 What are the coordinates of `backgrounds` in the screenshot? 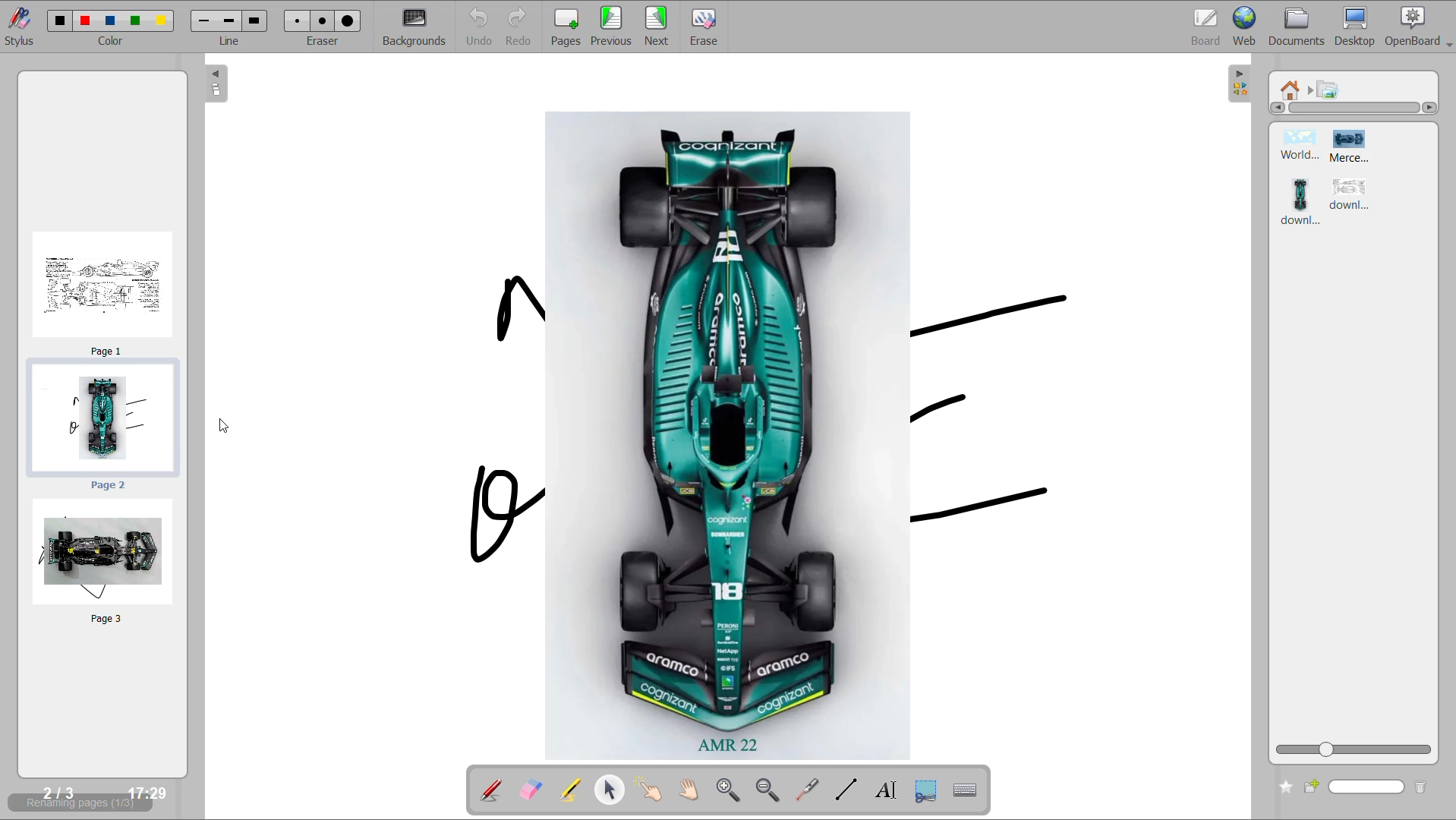 It's located at (416, 27).